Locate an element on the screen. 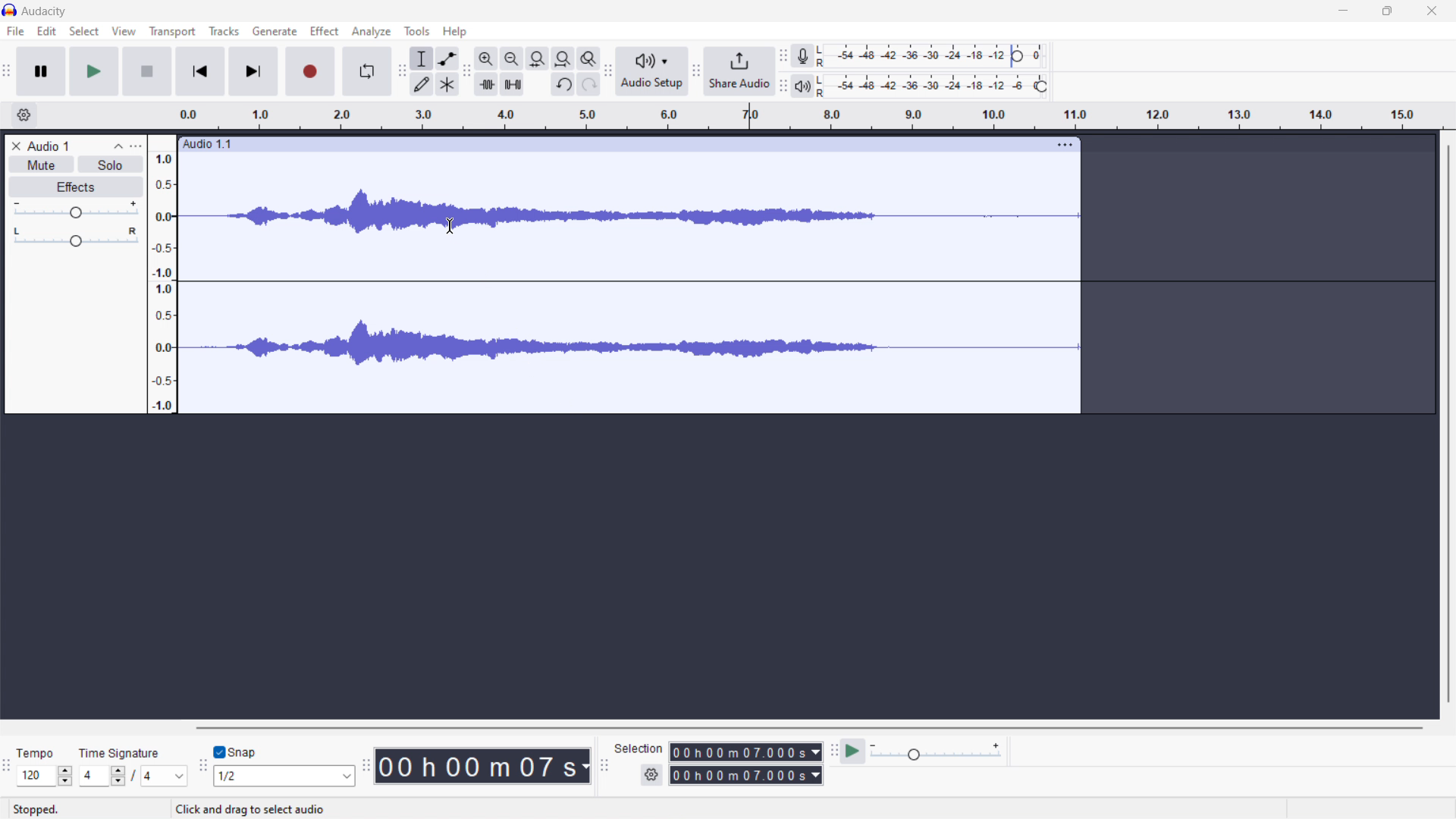 The height and width of the screenshot is (819, 1456). stopped. is located at coordinates (36, 810).